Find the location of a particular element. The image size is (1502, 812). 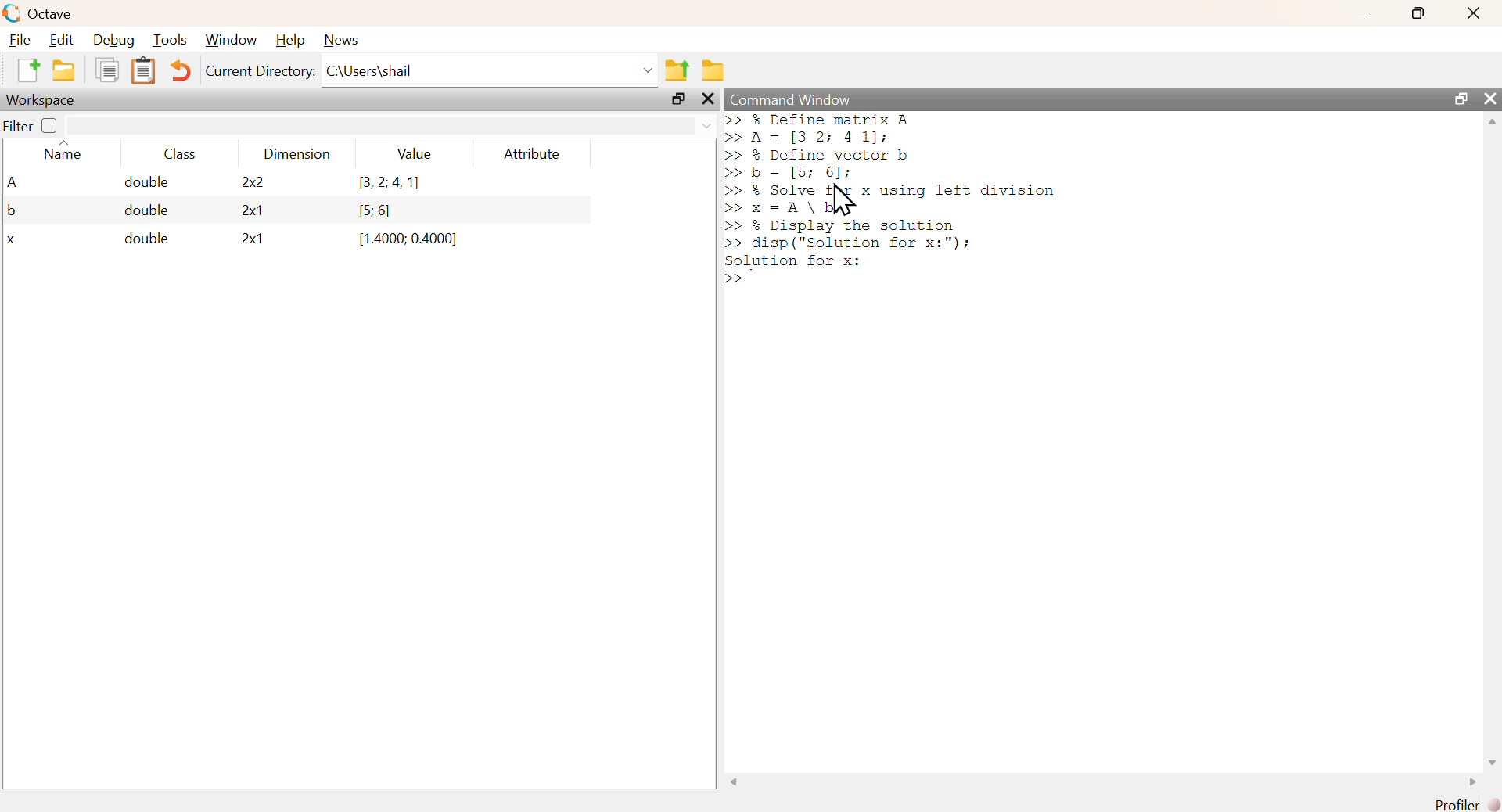

attribute is located at coordinates (530, 154).